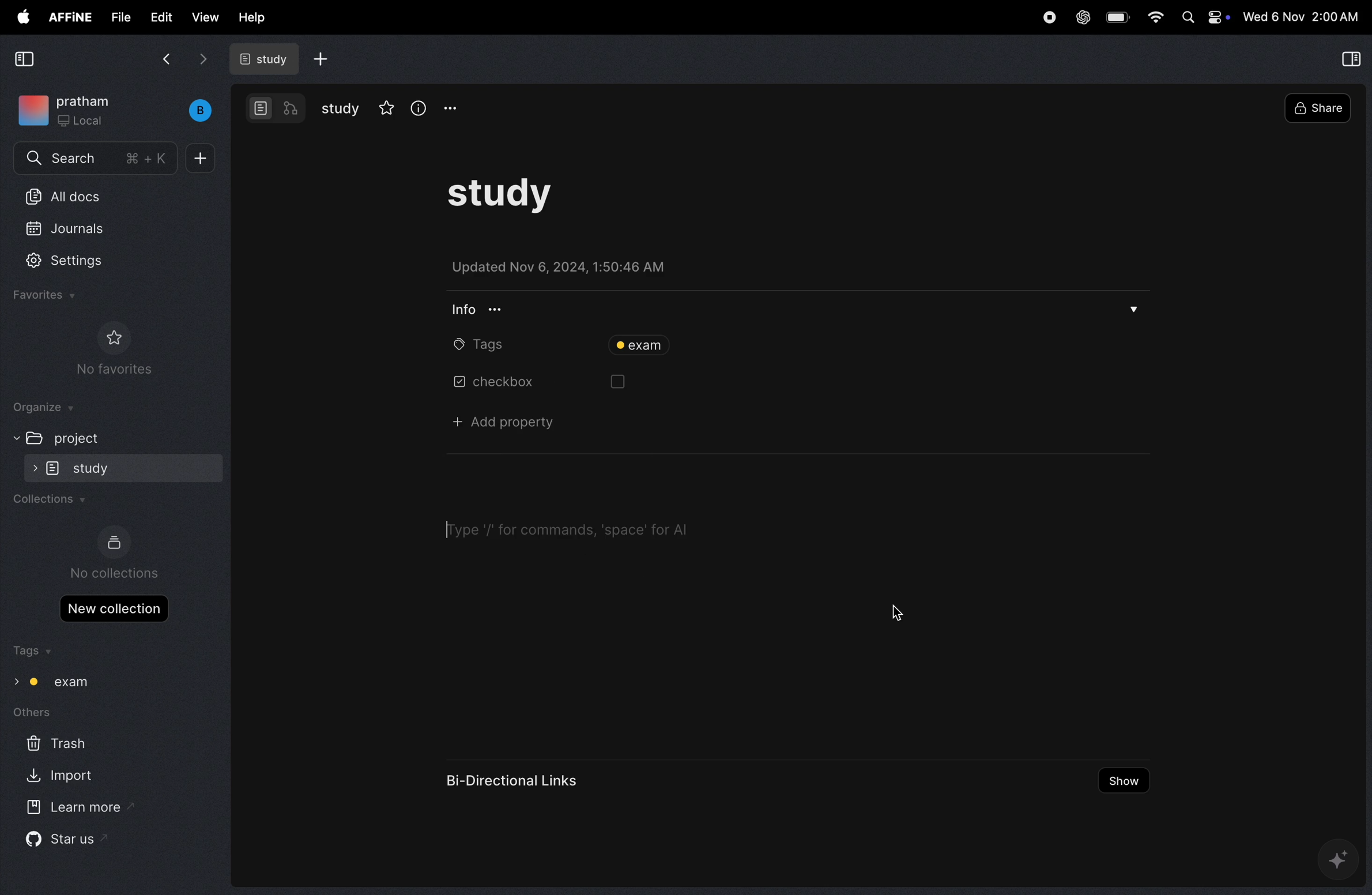  I want to click on star us, so click(75, 844).